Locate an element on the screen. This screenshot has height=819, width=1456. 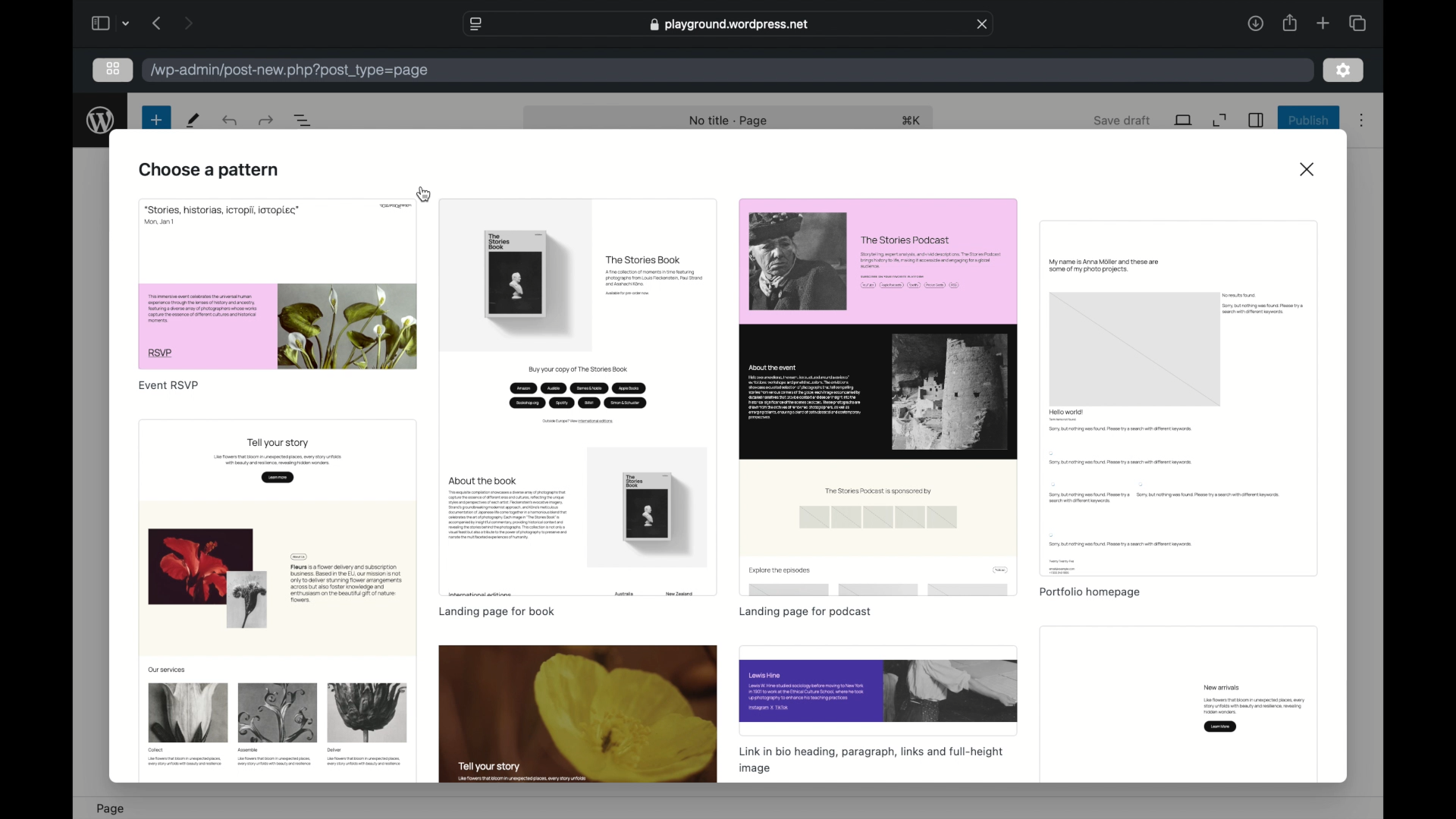
new is located at coordinates (156, 121).